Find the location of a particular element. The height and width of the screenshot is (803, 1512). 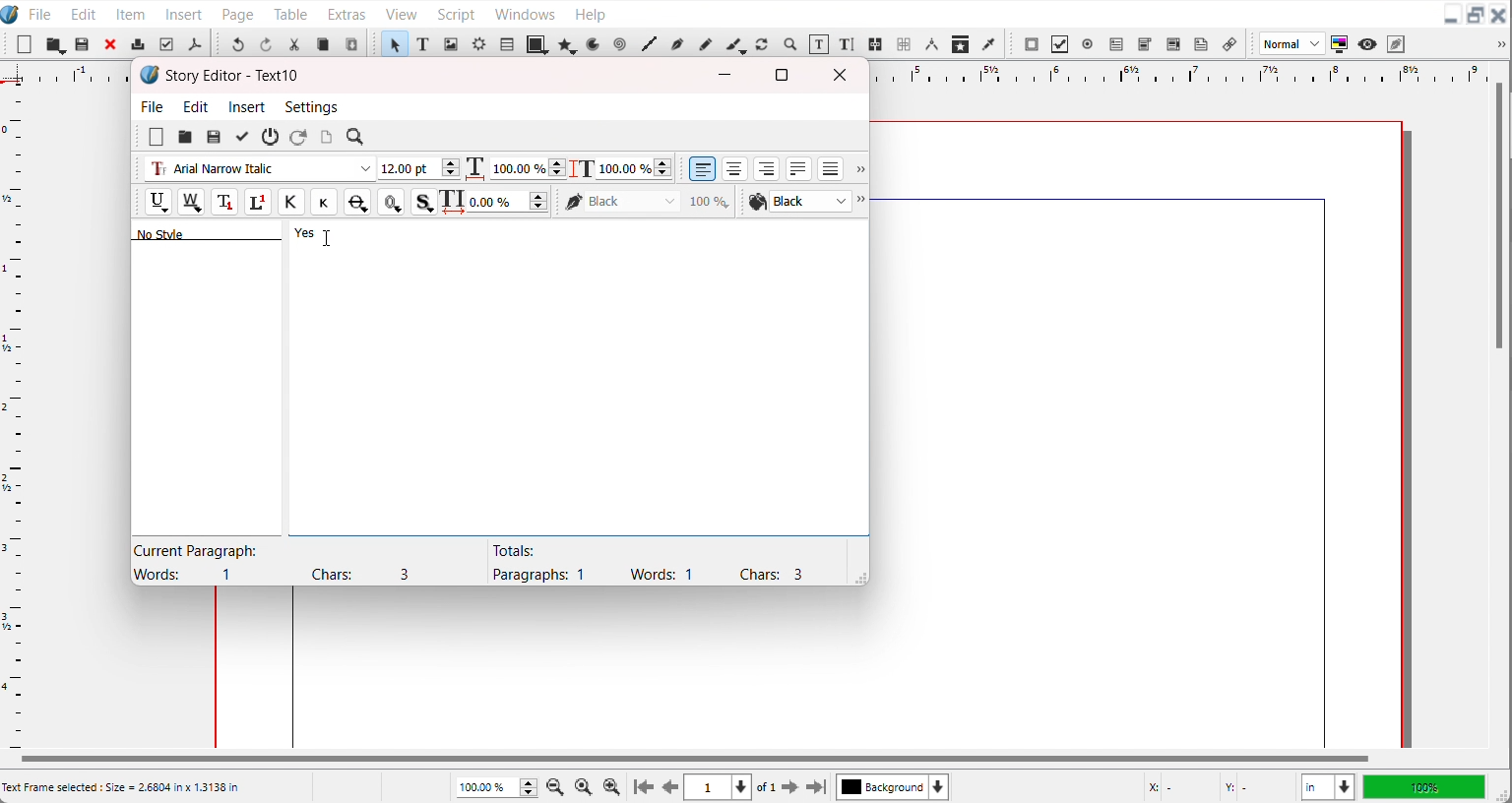

Close is located at coordinates (1499, 16).